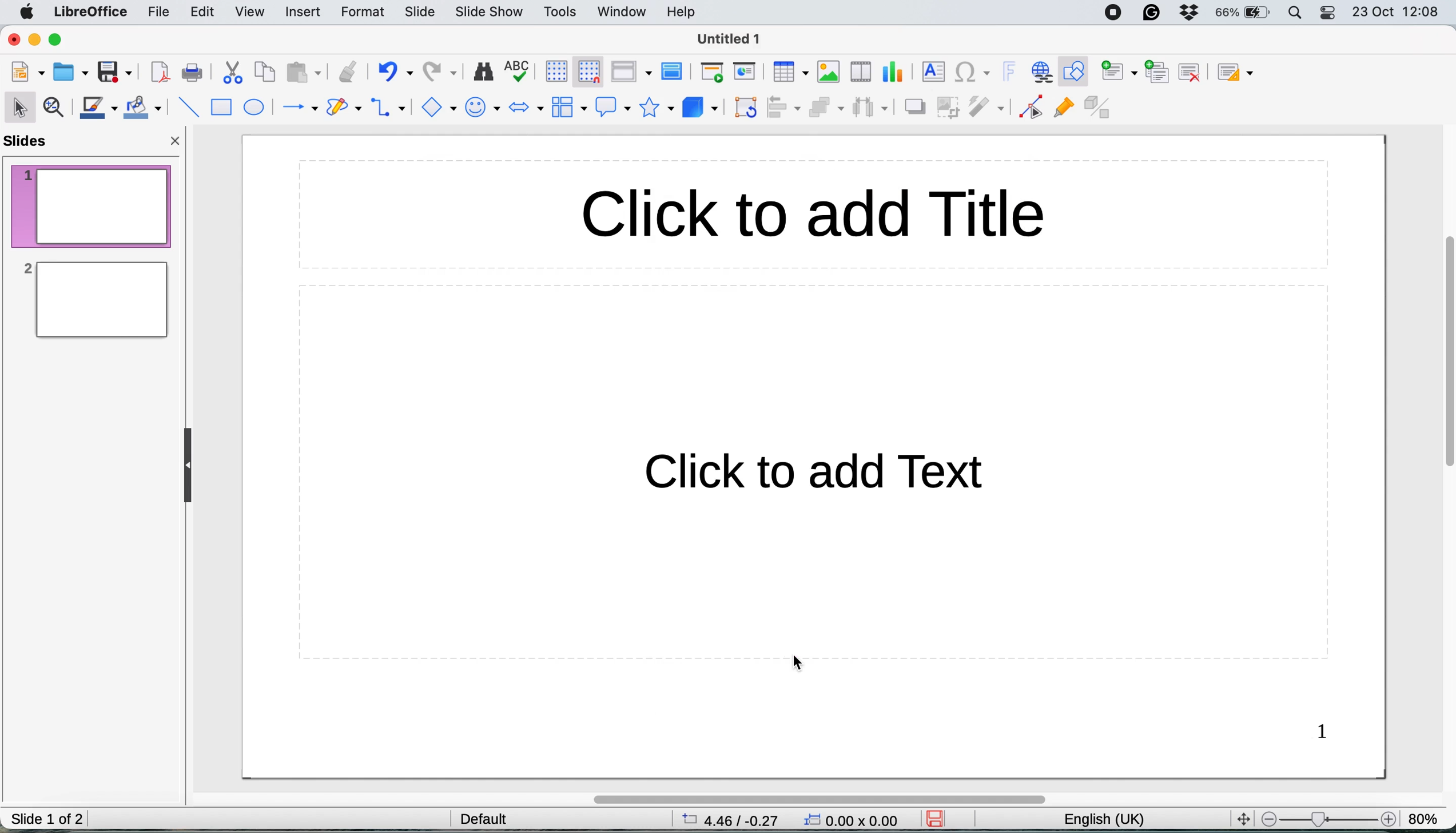  Describe the element at coordinates (221, 109) in the screenshot. I see `rectangle` at that location.